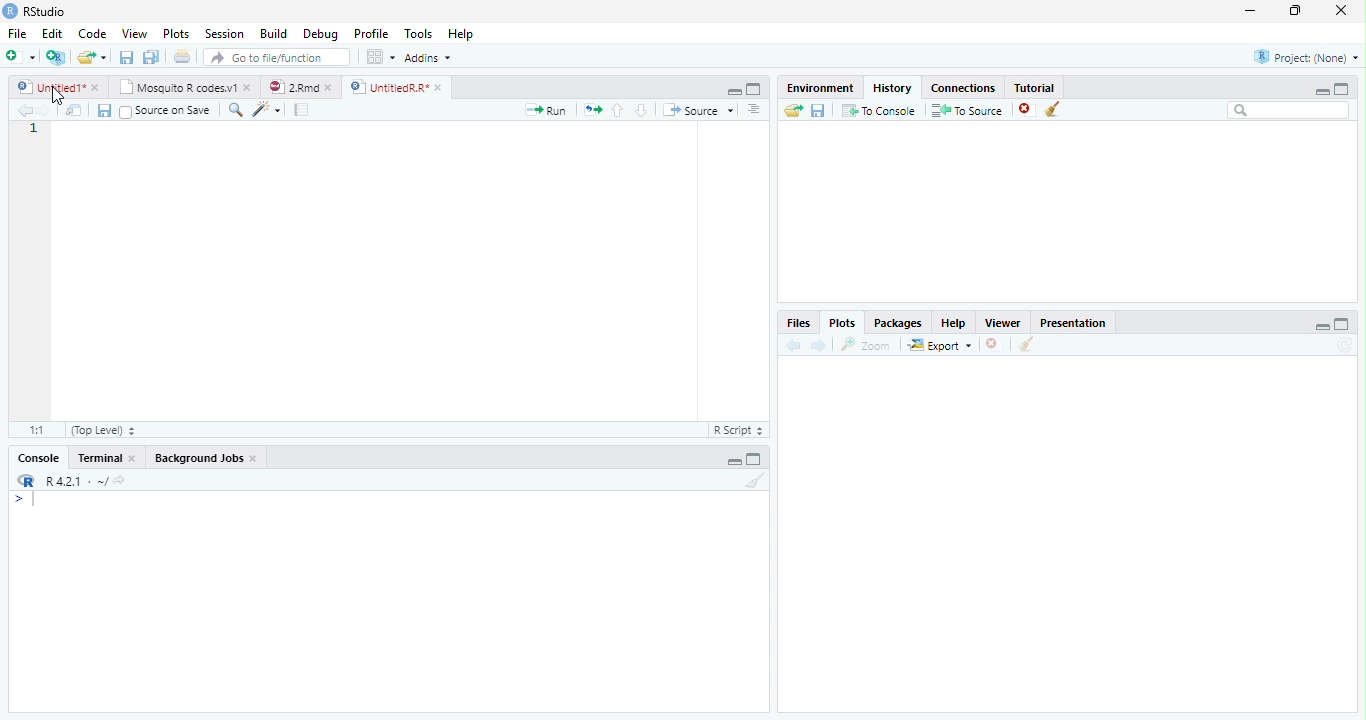 This screenshot has height=720, width=1366. What do you see at coordinates (732, 91) in the screenshot?
I see `Minimize` at bounding box center [732, 91].